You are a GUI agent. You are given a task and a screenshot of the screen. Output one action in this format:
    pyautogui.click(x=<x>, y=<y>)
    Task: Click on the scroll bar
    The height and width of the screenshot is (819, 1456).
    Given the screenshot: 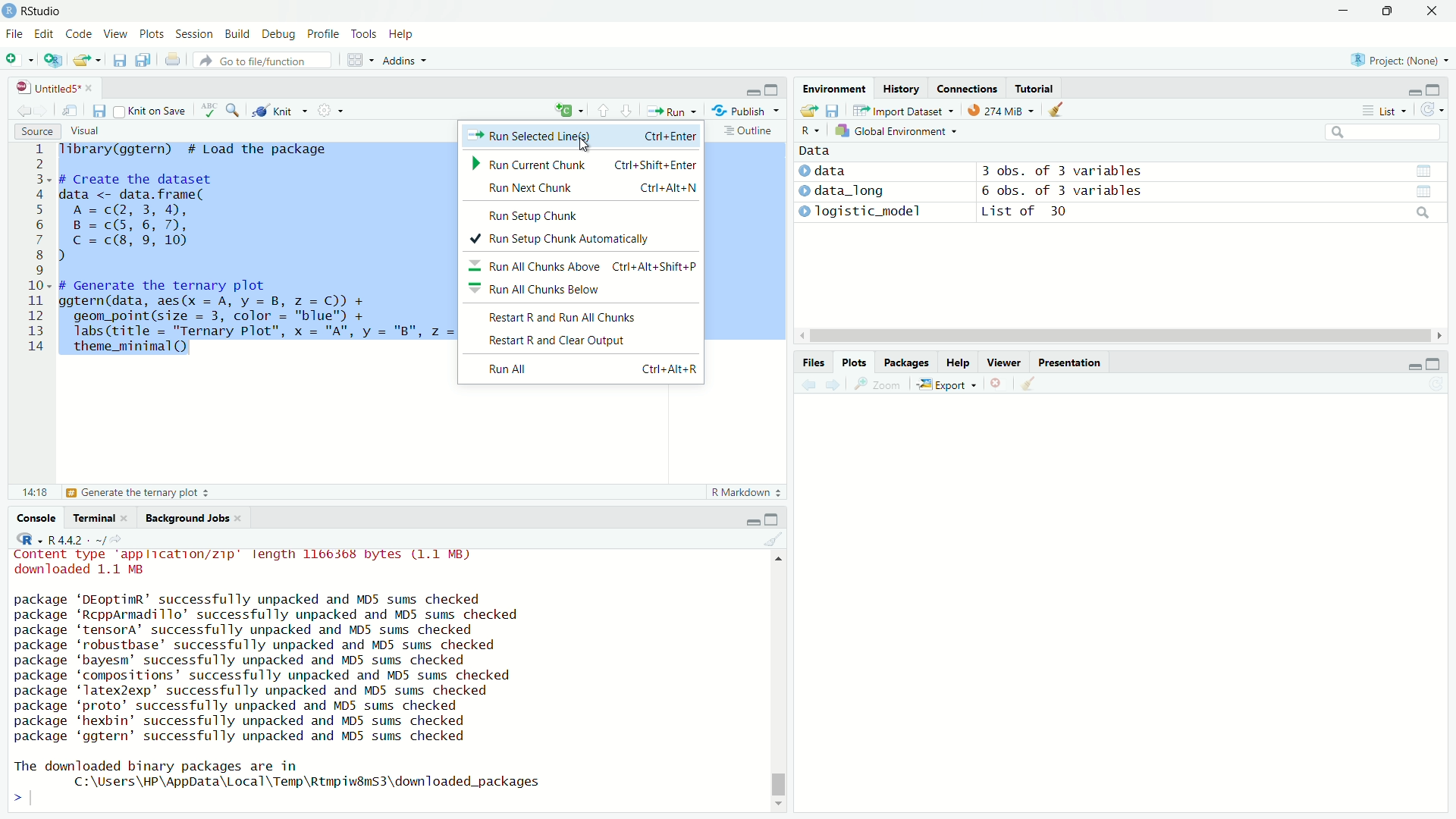 What is the action you would take?
    pyautogui.click(x=783, y=679)
    